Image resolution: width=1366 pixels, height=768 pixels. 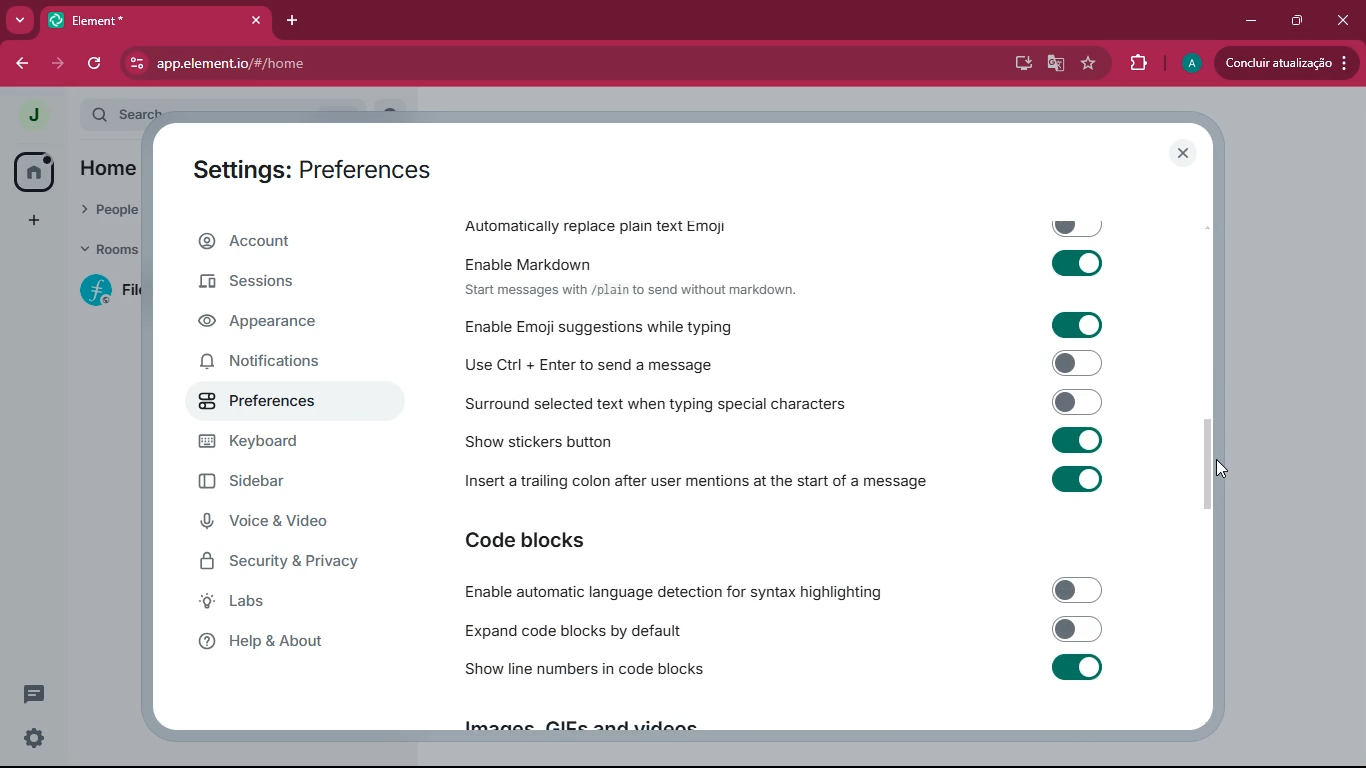 I want to click on Use Ctrl + Enter to send a message, so click(x=788, y=362).